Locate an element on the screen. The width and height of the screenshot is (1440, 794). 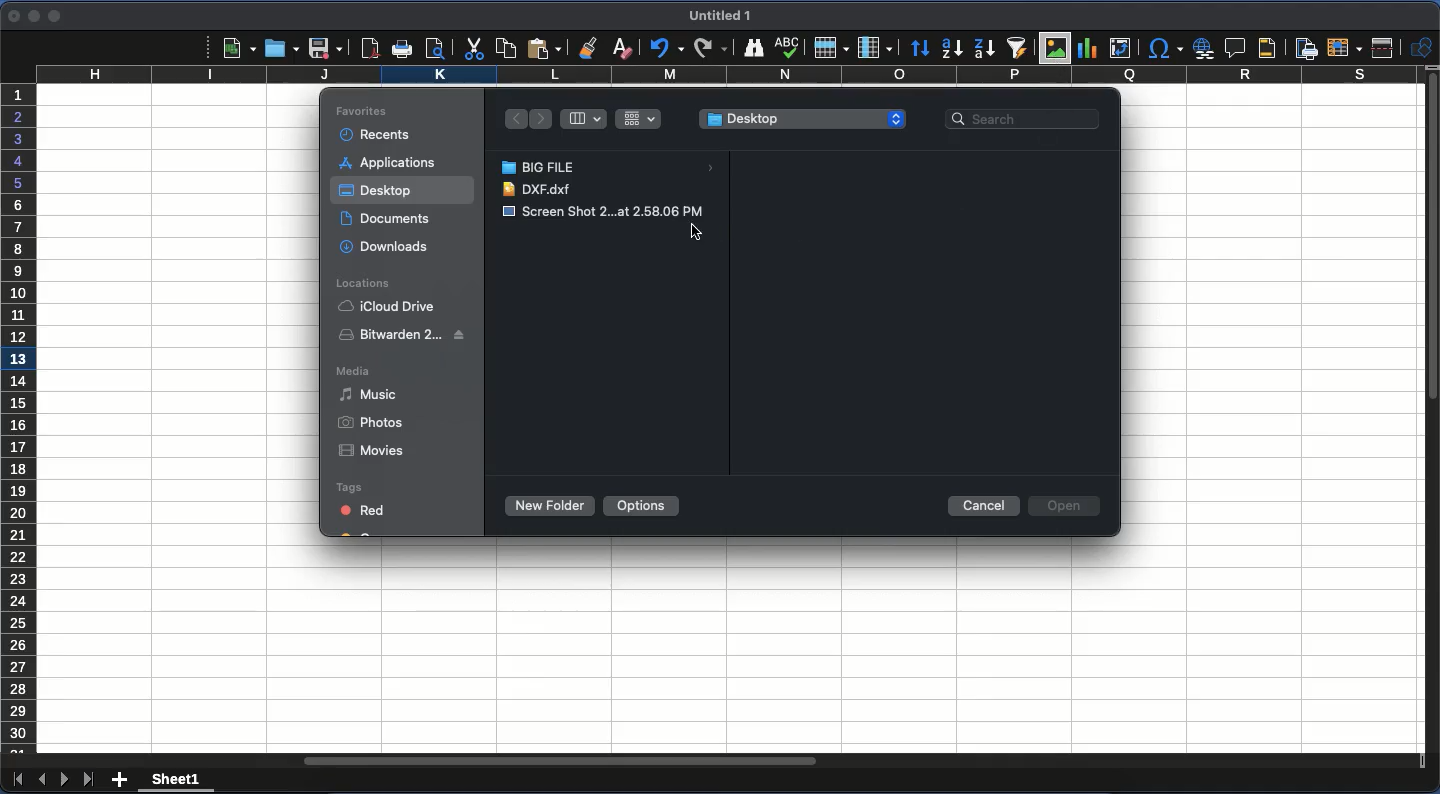
special character is located at coordinates (1165, 48).